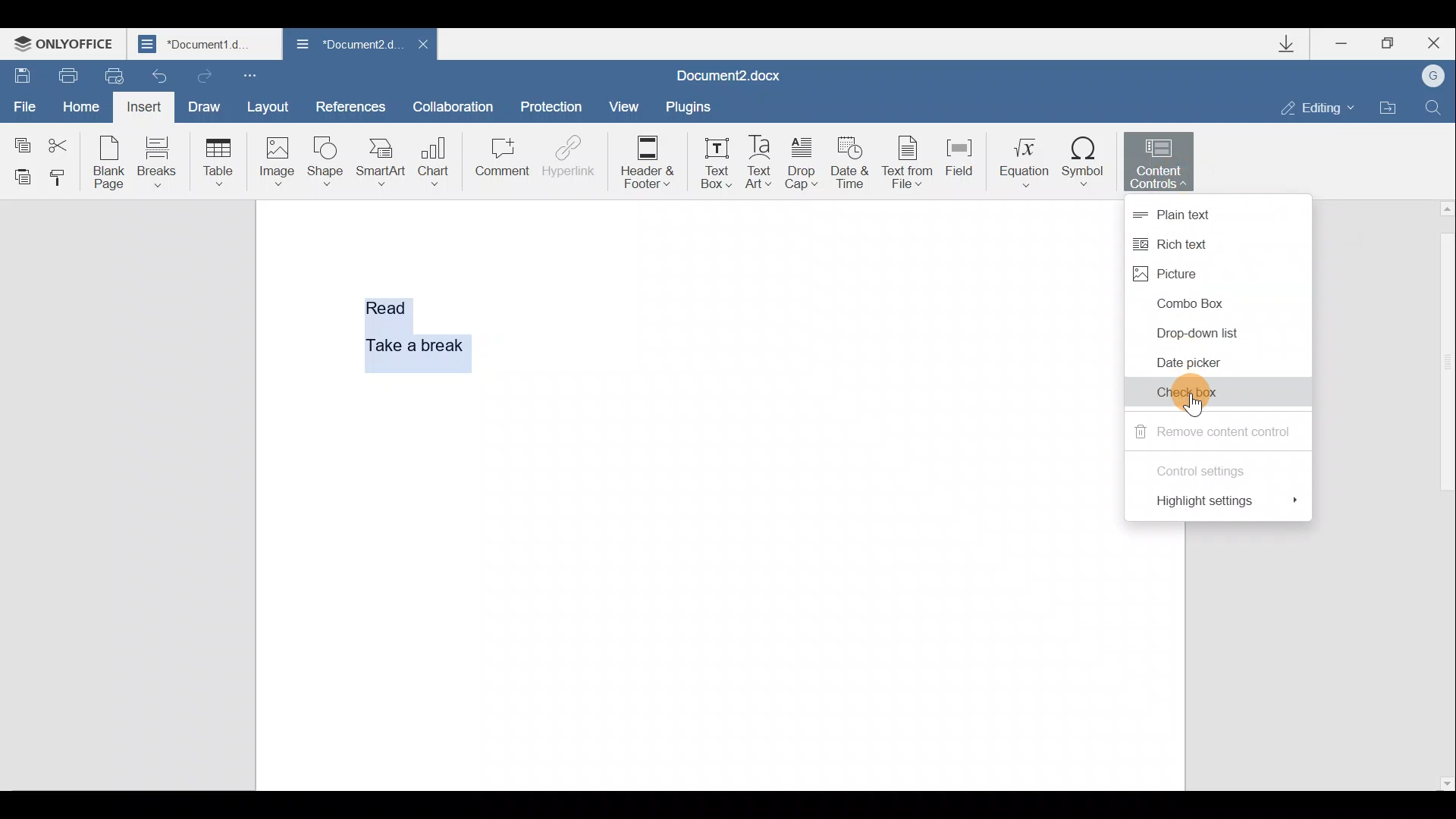  Describe the element at coordinates (501, 159) in the screenshot. I see `Comment` at that location.